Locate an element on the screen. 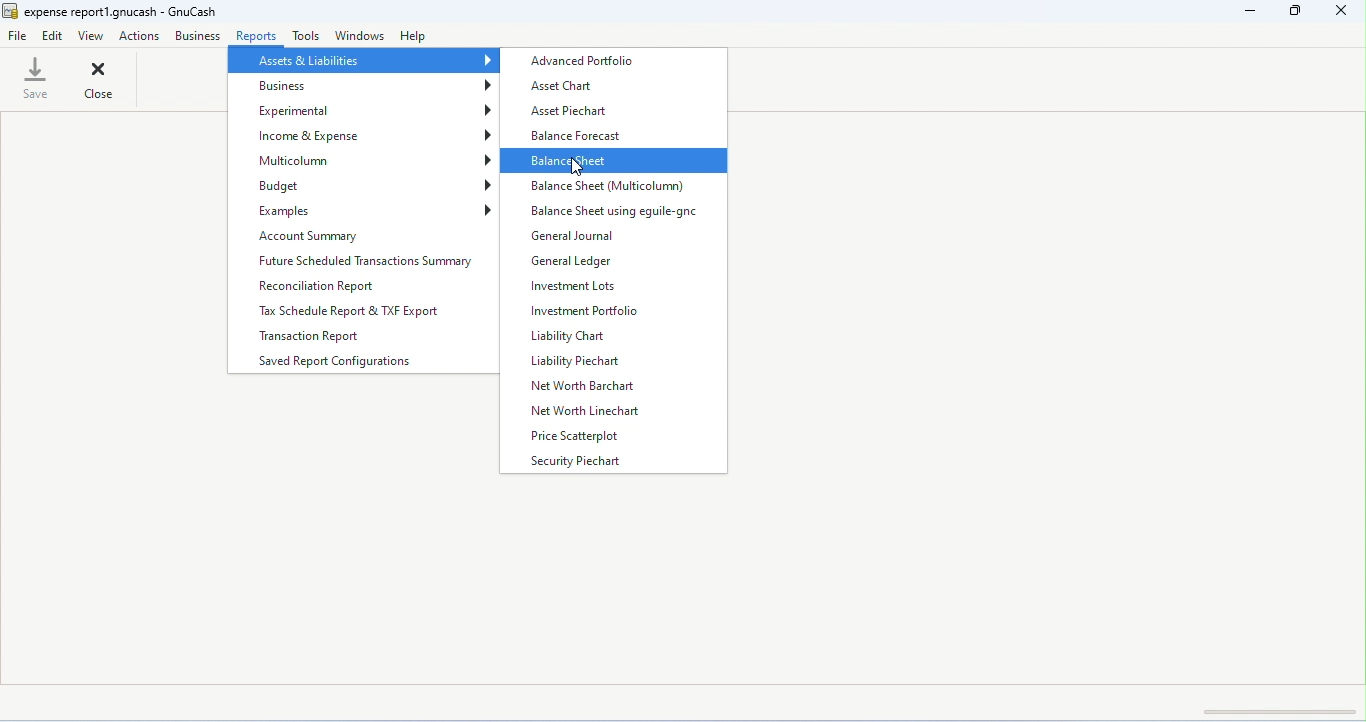 The image size is (1366, 722). balance sheet is located at coordinates (573, 161).